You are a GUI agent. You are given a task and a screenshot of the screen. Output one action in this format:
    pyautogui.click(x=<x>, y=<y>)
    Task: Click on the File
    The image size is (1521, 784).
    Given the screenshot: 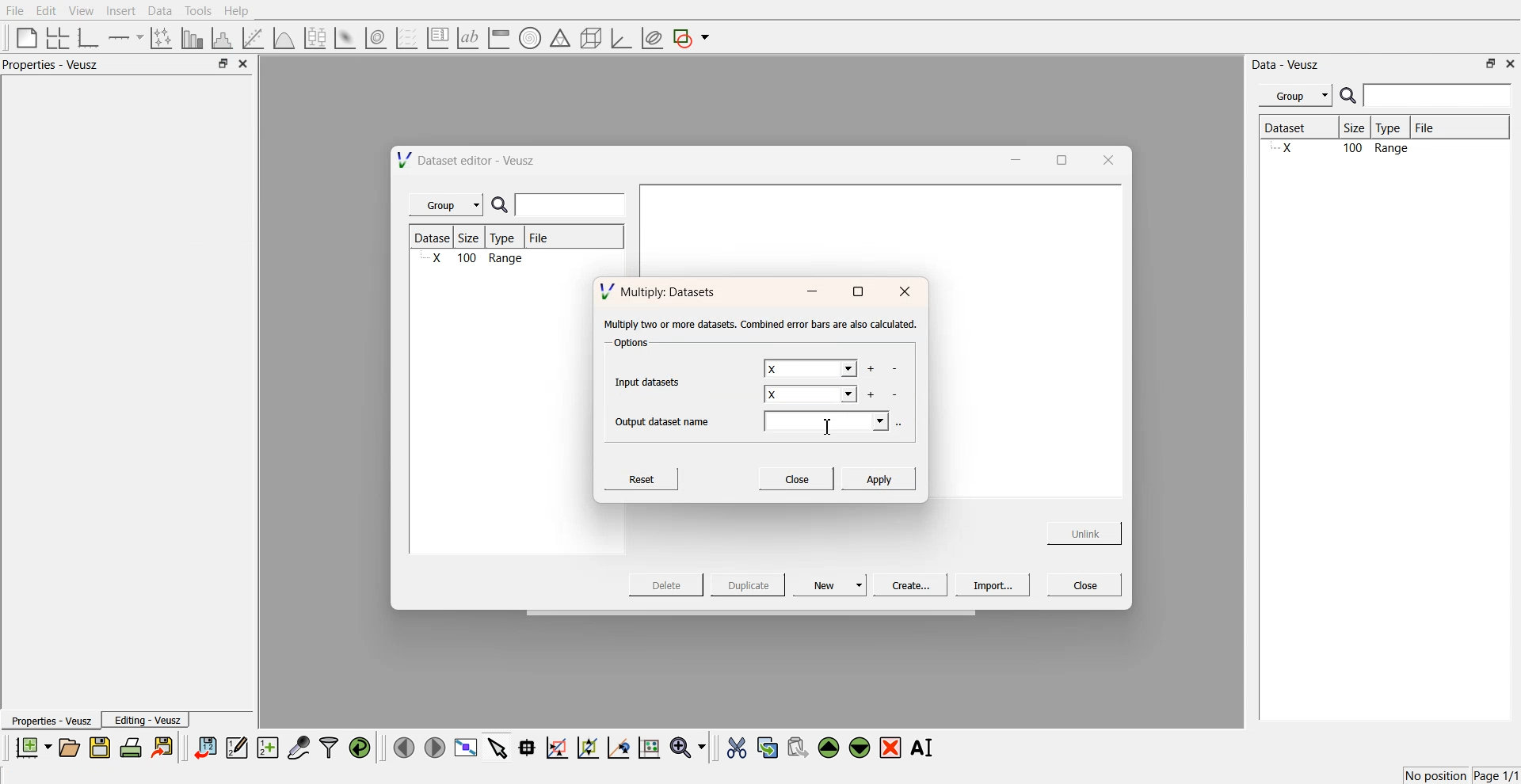 What is the action you would take?
    pyautogui.click(x=16, y=11)
    